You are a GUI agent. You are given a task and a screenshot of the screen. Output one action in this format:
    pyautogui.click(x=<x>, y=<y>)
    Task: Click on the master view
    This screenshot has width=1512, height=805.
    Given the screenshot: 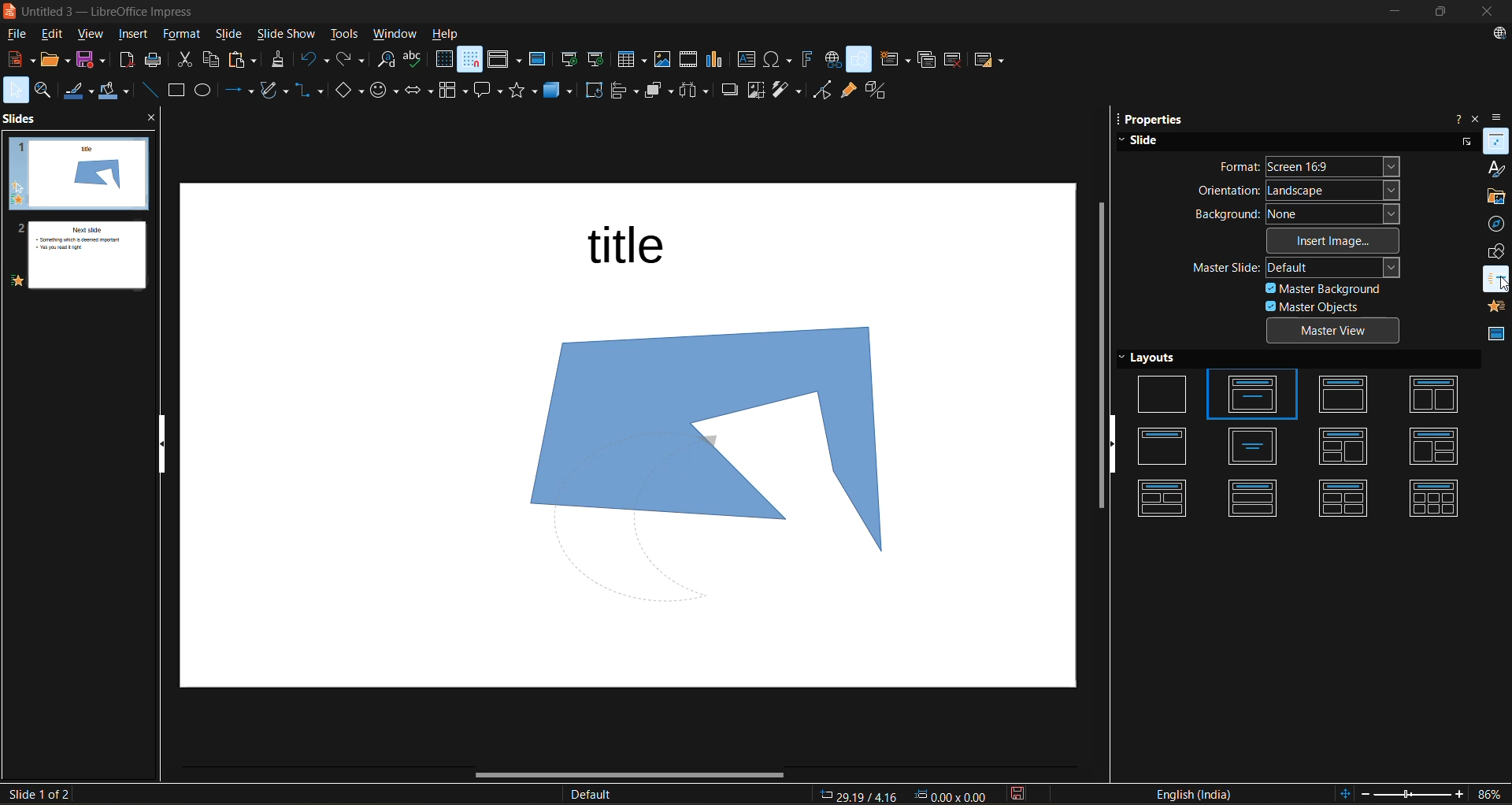 What is the action you would take?
    pyautogui.click(x=1338, y=332)
    